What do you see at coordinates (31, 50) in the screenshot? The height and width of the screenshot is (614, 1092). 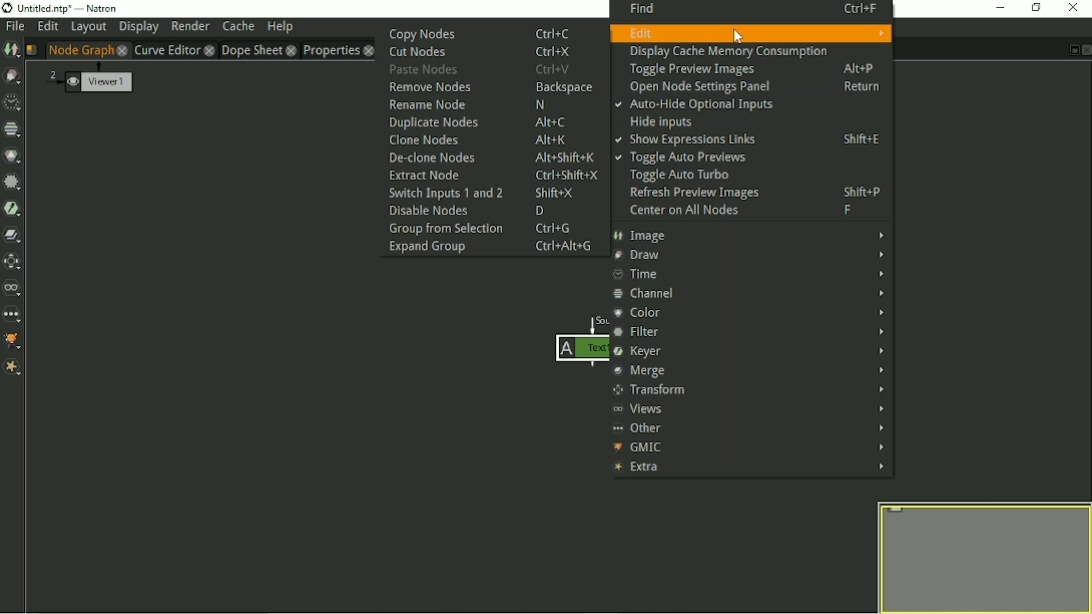 I see `Script name` at bounding box center [31, 50].